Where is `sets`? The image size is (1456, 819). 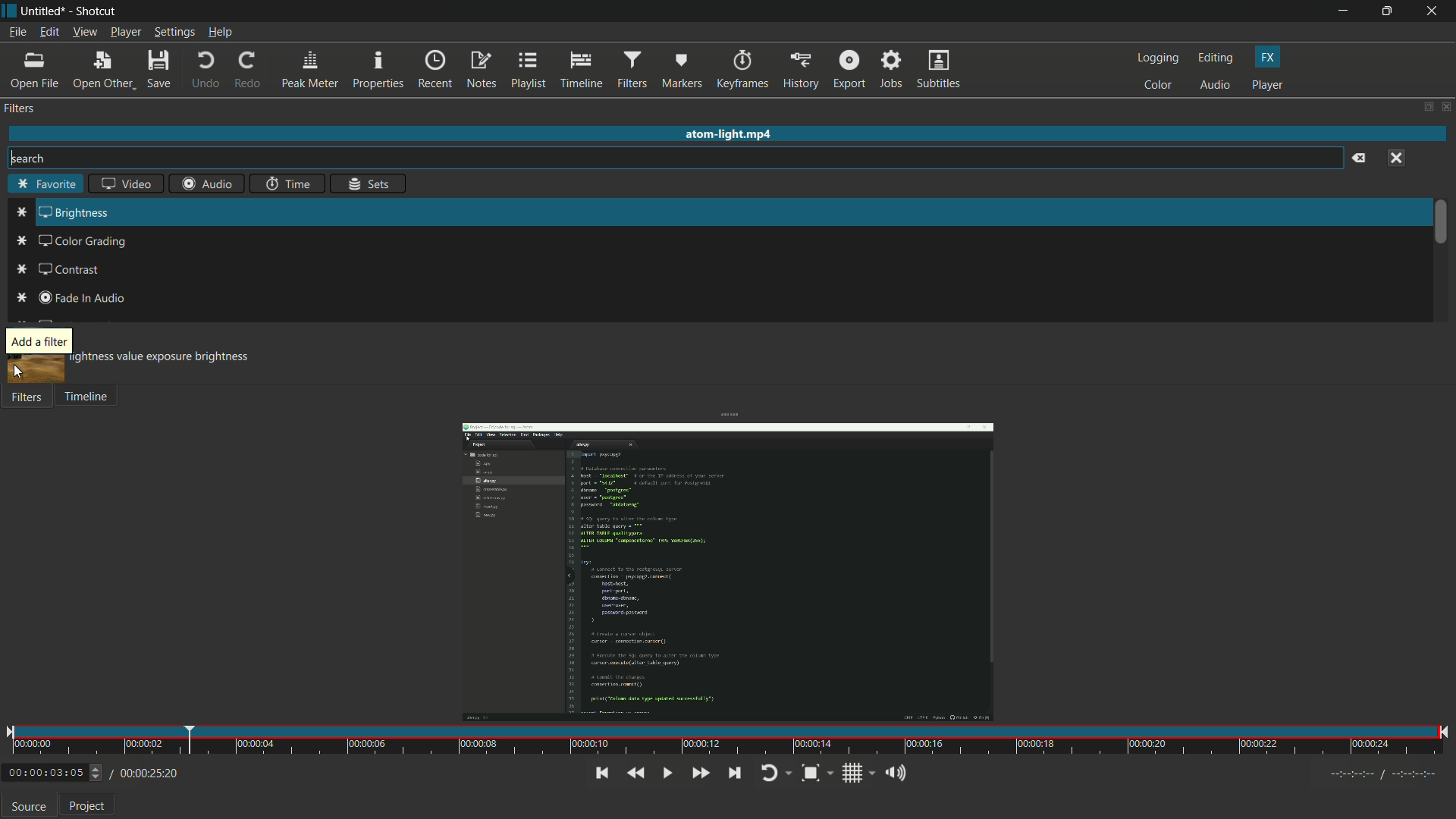
sets is located at coordinates (370, 184).